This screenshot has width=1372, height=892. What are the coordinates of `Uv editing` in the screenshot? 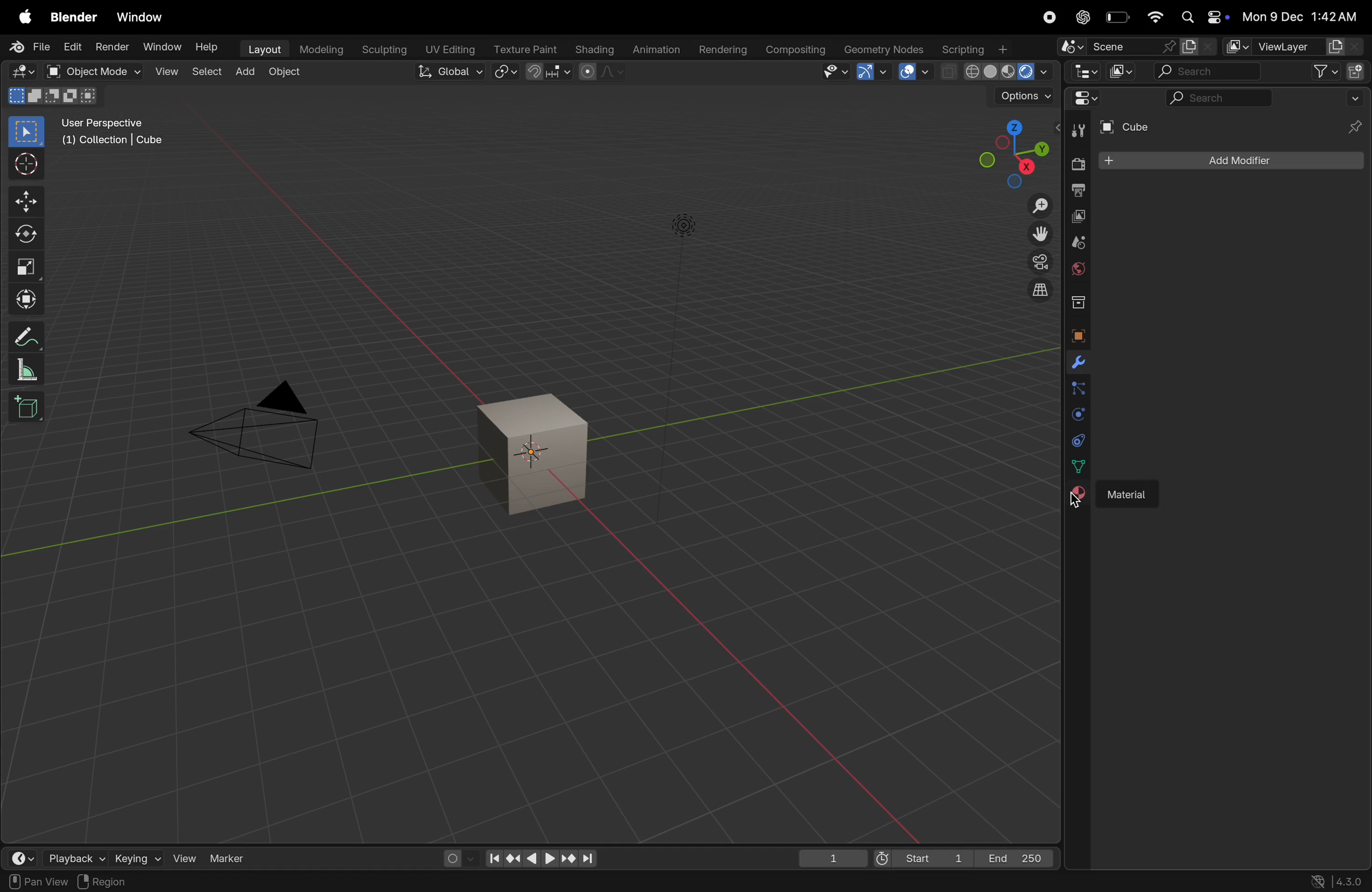 It's located at (448, 48).